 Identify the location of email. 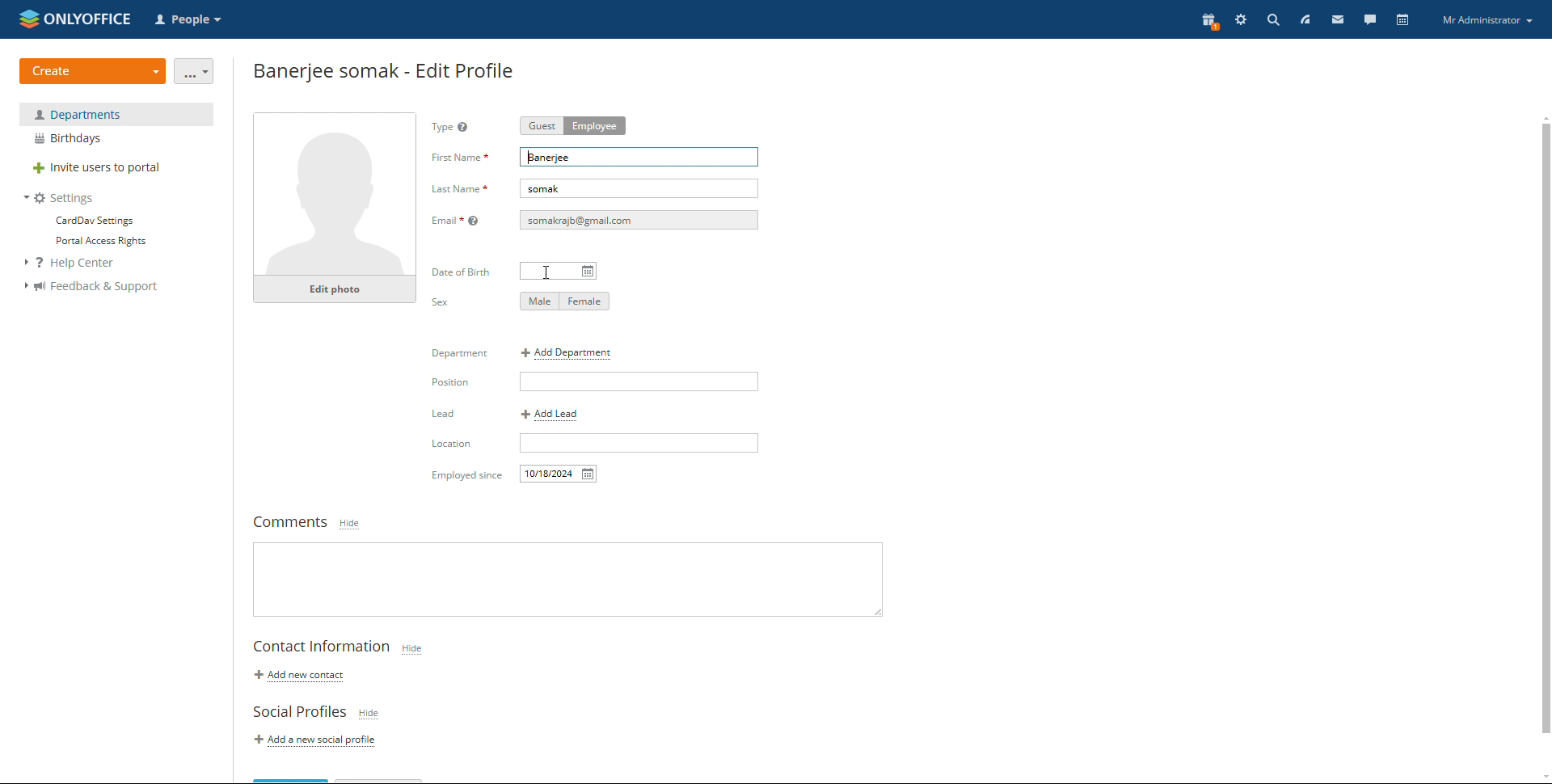
(639, 220).